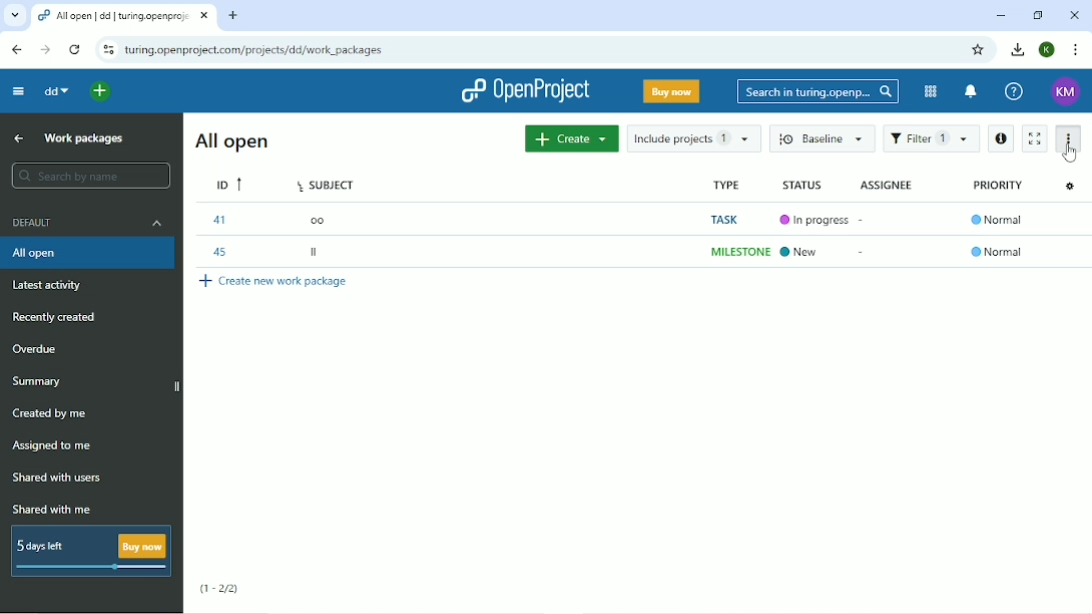 Image resolution: width=1092 pixels, height=614 pixels. Describe the element at coordinates (46, 49) in the screenshot. I see `Forward` at that location.